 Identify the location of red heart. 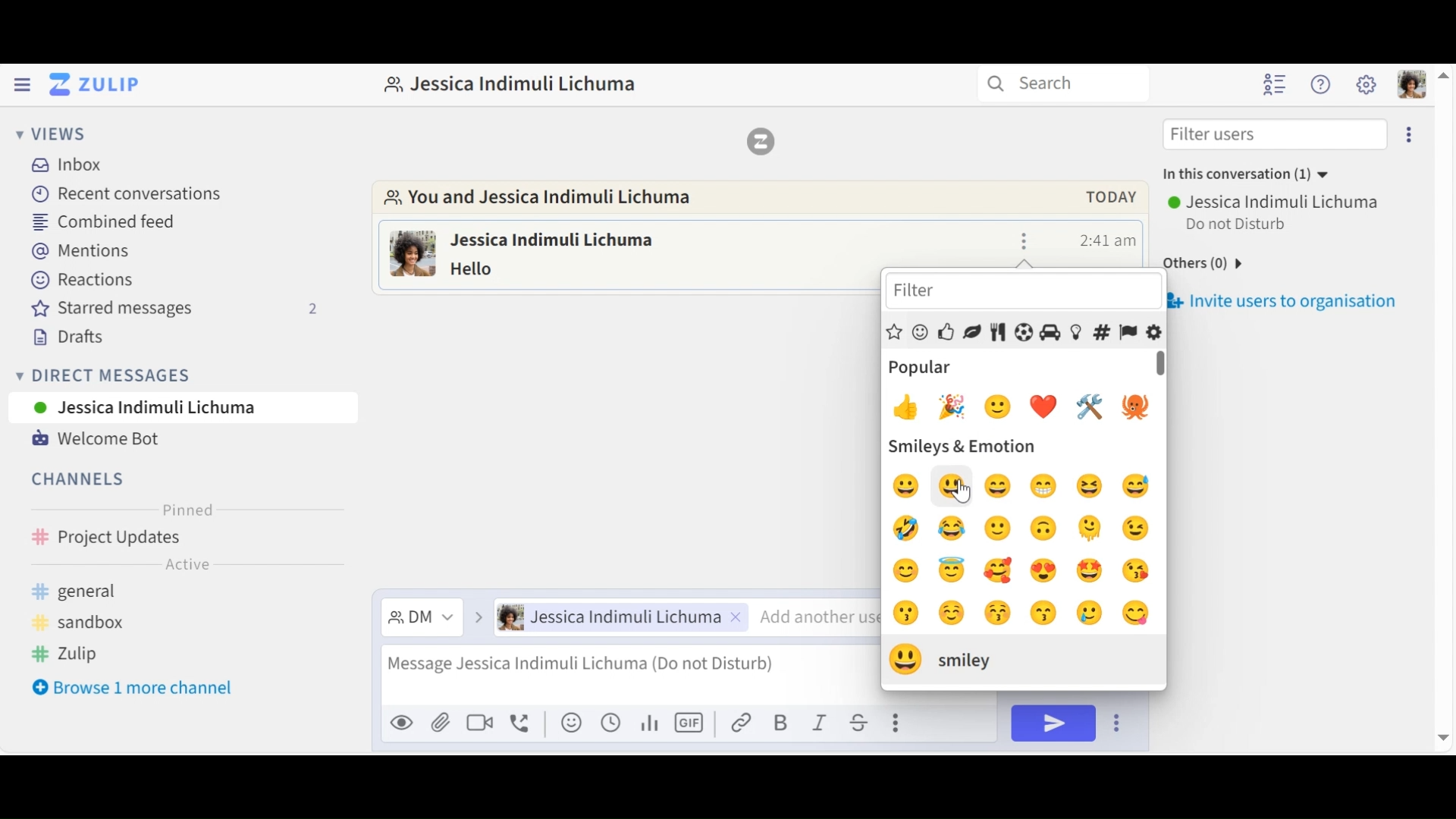
(1049, 406).